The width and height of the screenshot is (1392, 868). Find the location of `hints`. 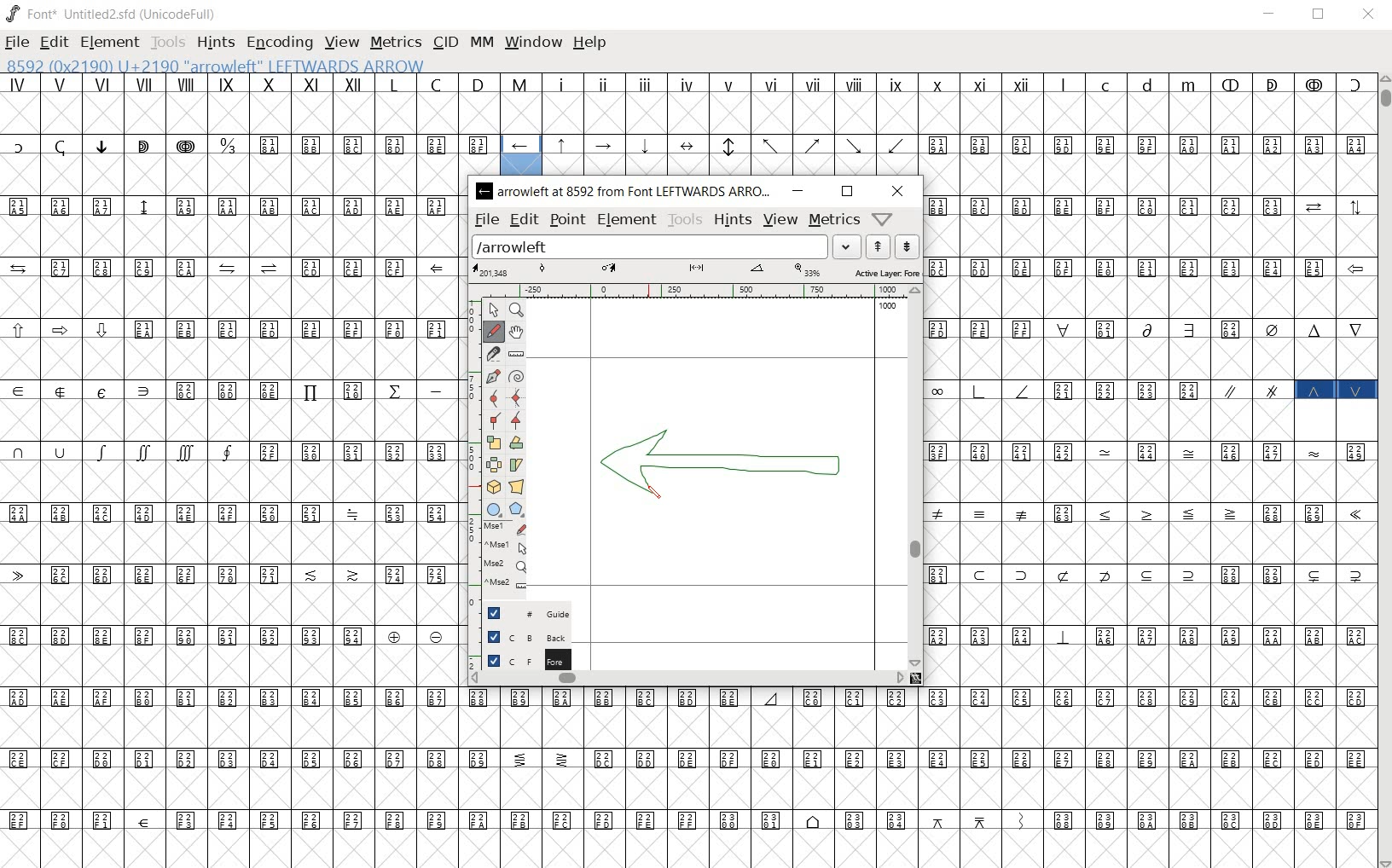

hints is located at coordinates (215, 43).